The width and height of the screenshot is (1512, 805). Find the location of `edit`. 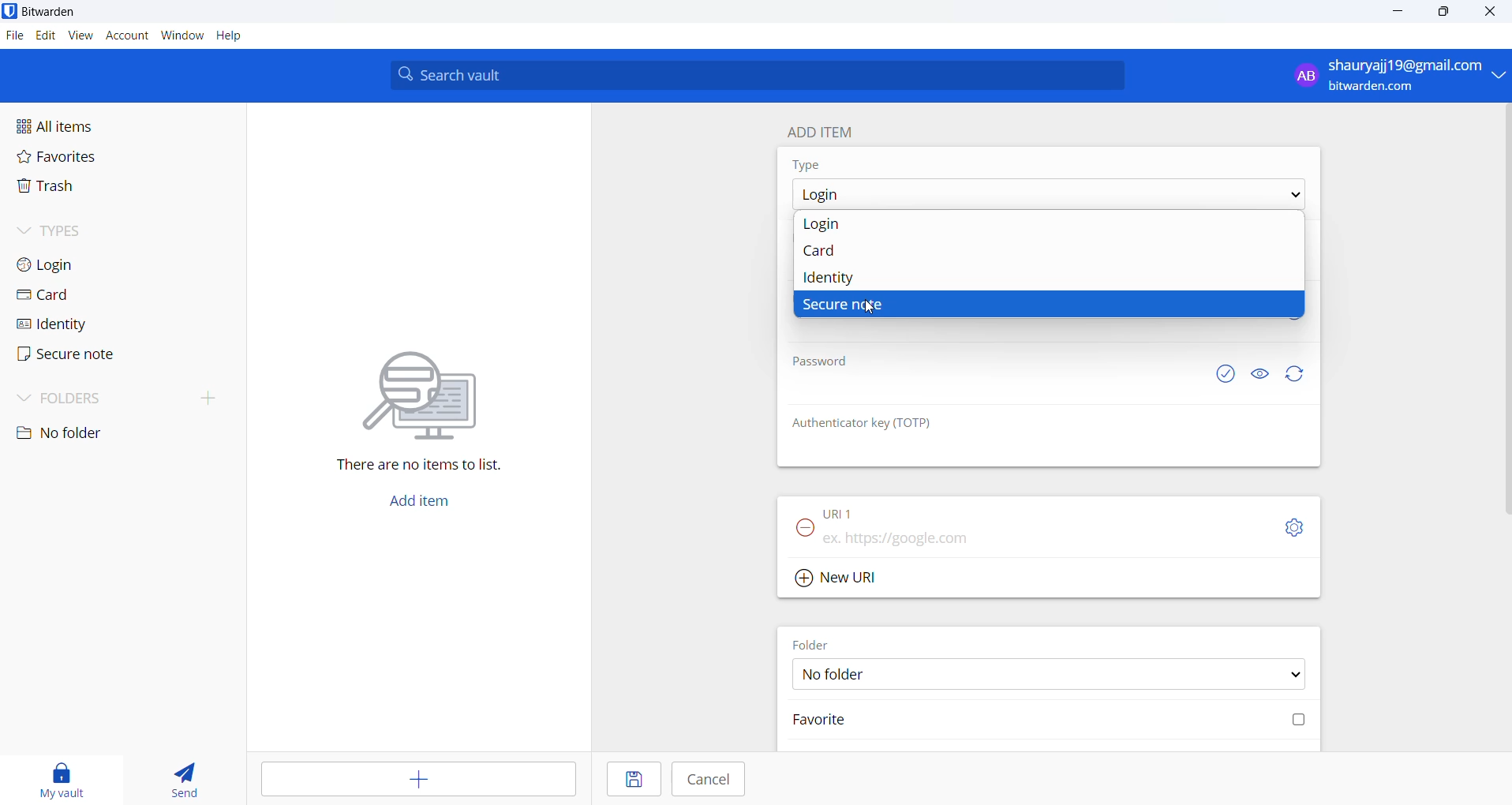

edit is located at coordinates (43, 35).